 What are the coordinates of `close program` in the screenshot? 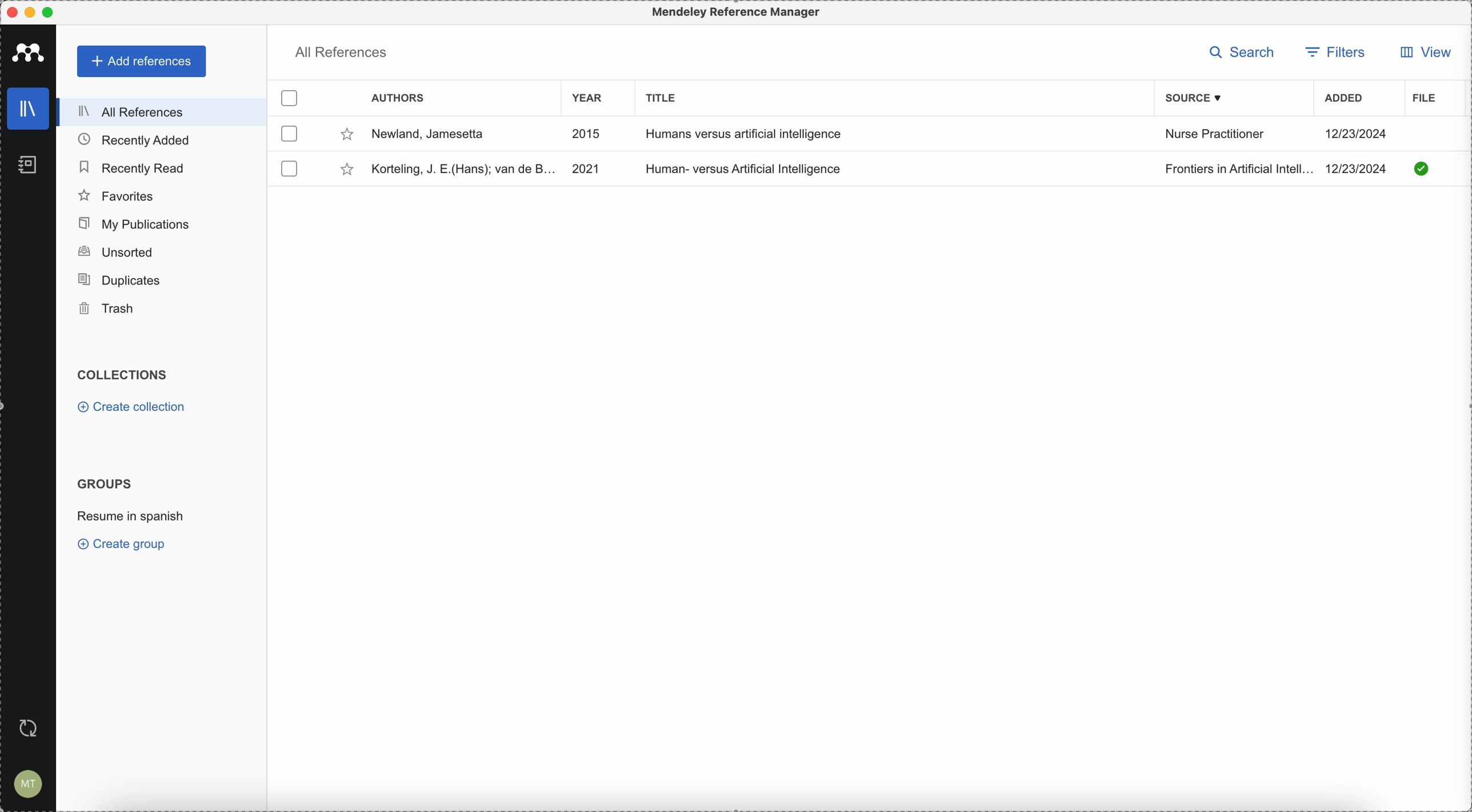 It's located at (9, 10).